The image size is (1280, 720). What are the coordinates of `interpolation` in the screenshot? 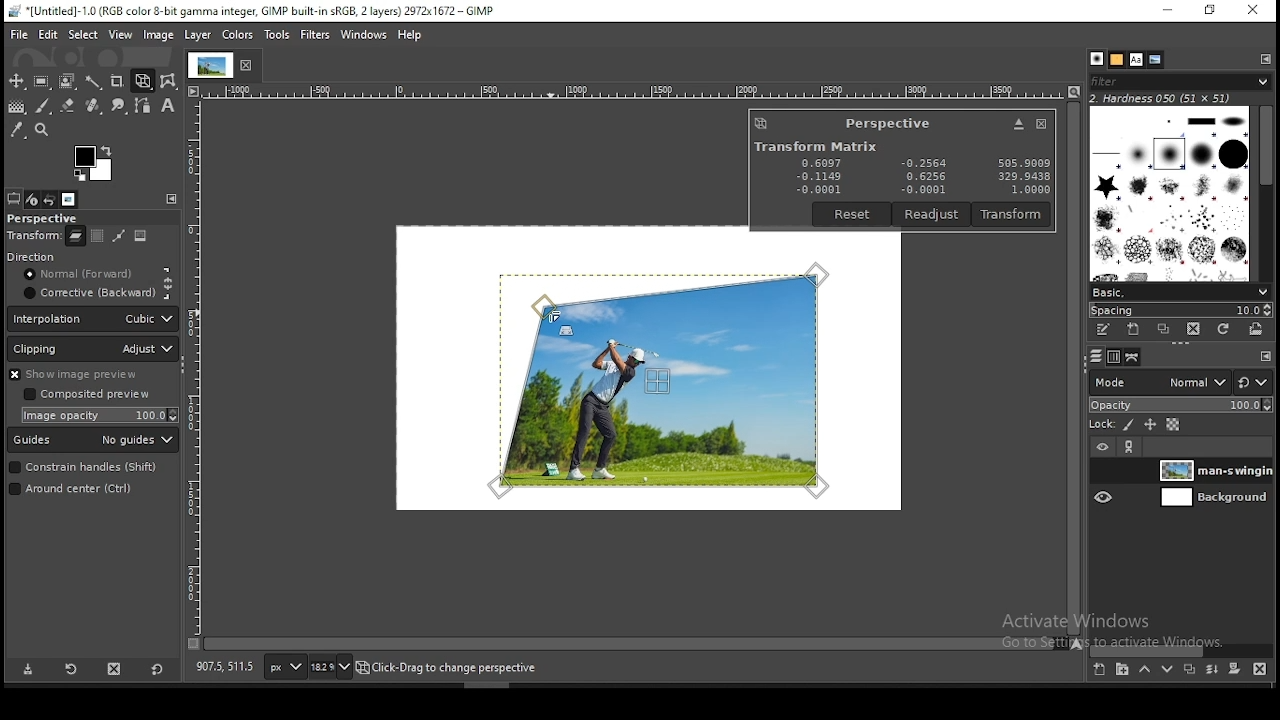 It's located at (93, 319).